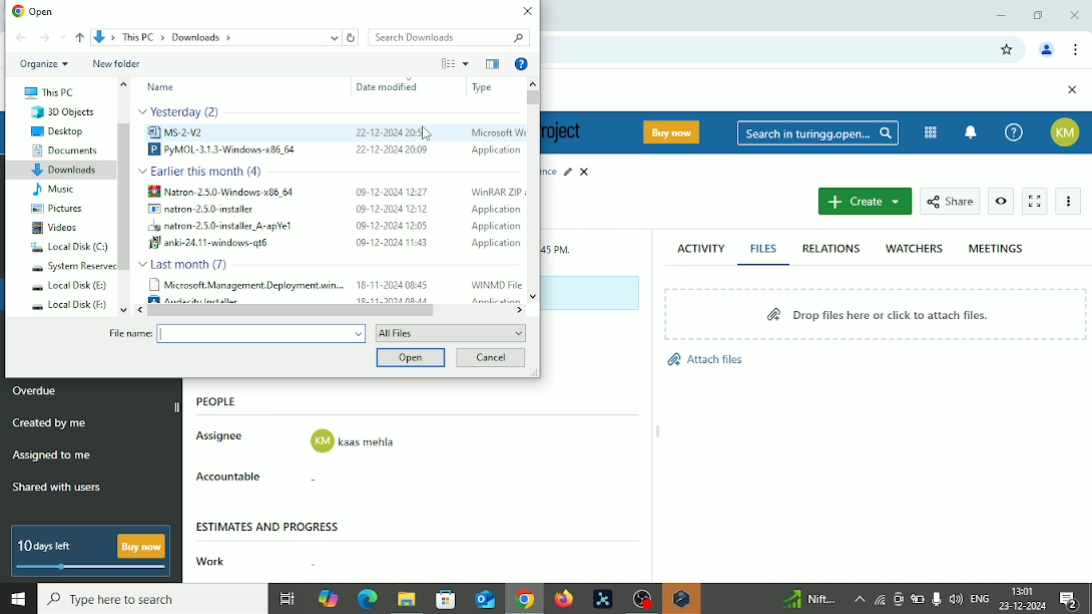 The image size is (1092, 614). Describe the element at coordinates (72, 267) in the screenshot. I see `System Reserved` at that location.